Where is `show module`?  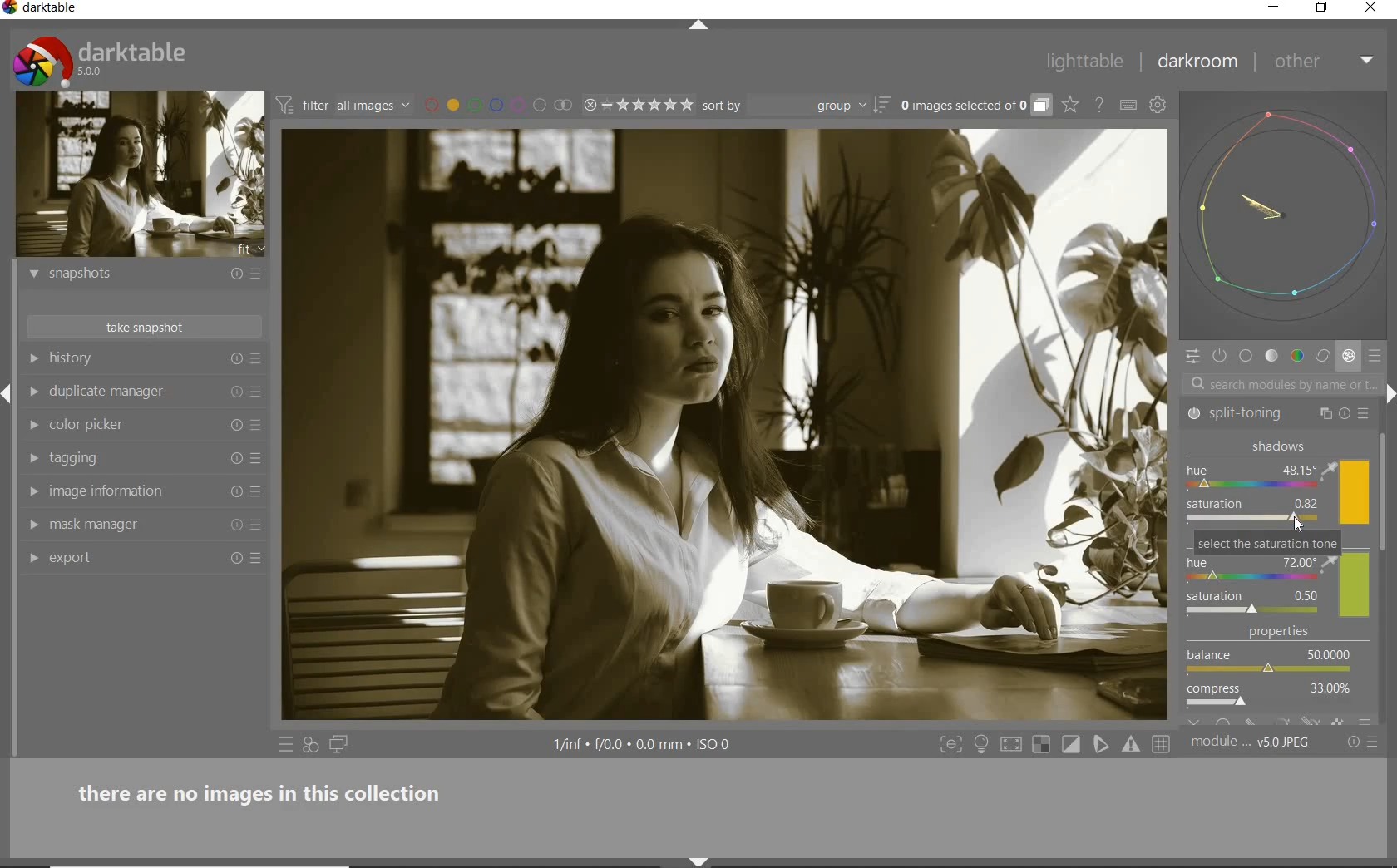
show module is located at coordinates (32, 525).